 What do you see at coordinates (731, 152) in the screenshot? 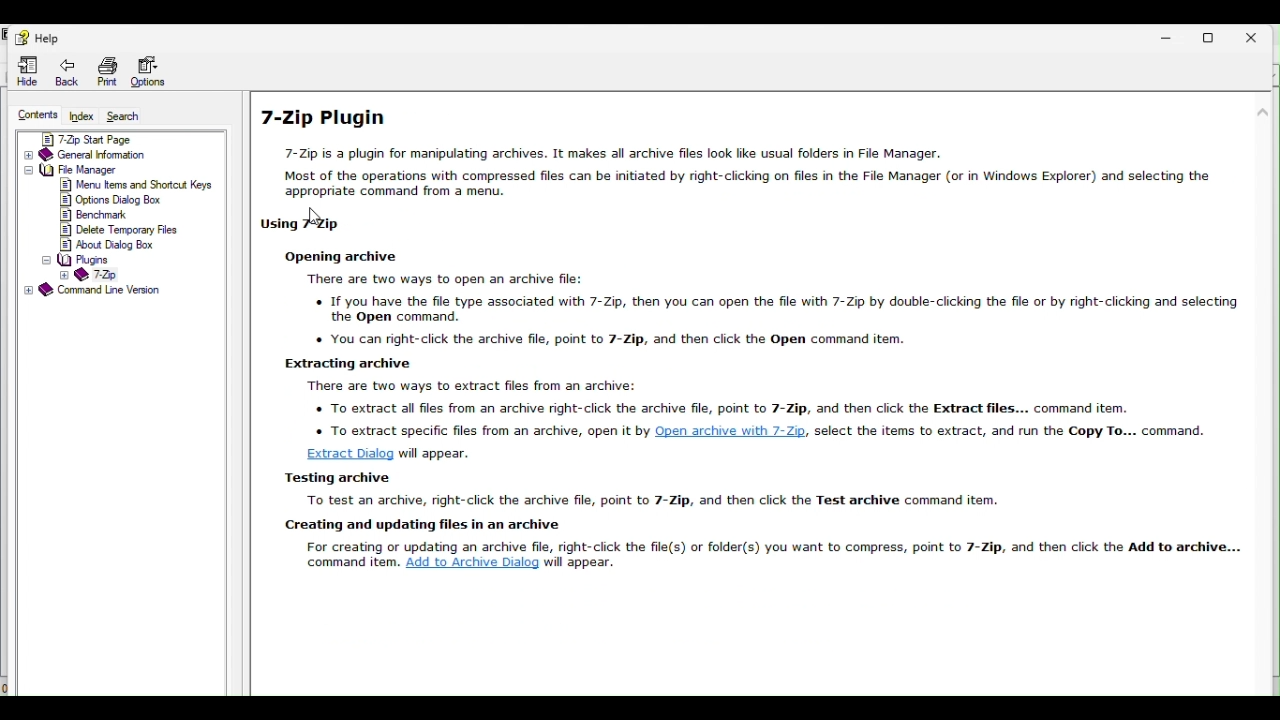
I see `7-Zip Plugin
7-Zip is a plugin for manipulating archives. It makes all archive files look lie usual folders in File Manager.
Most of the operations with compressed files can be initiated by right-clicking on files in the File Manager (or in Windows Explorer) and selecting the
appropriate command from a men.` at bounding box center [731, 152].